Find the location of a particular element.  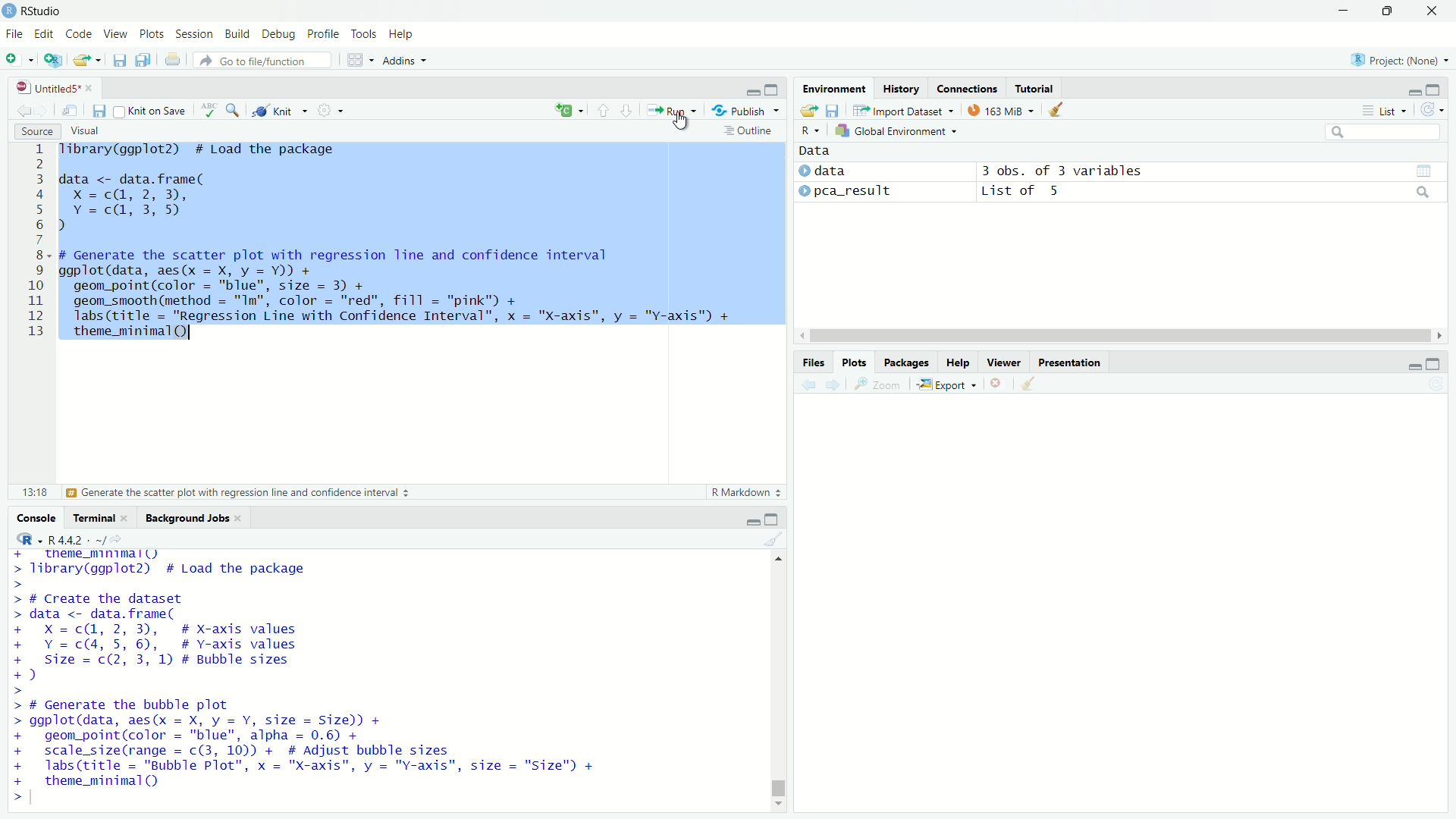

Show in new window is located at coordinates (70, 110).